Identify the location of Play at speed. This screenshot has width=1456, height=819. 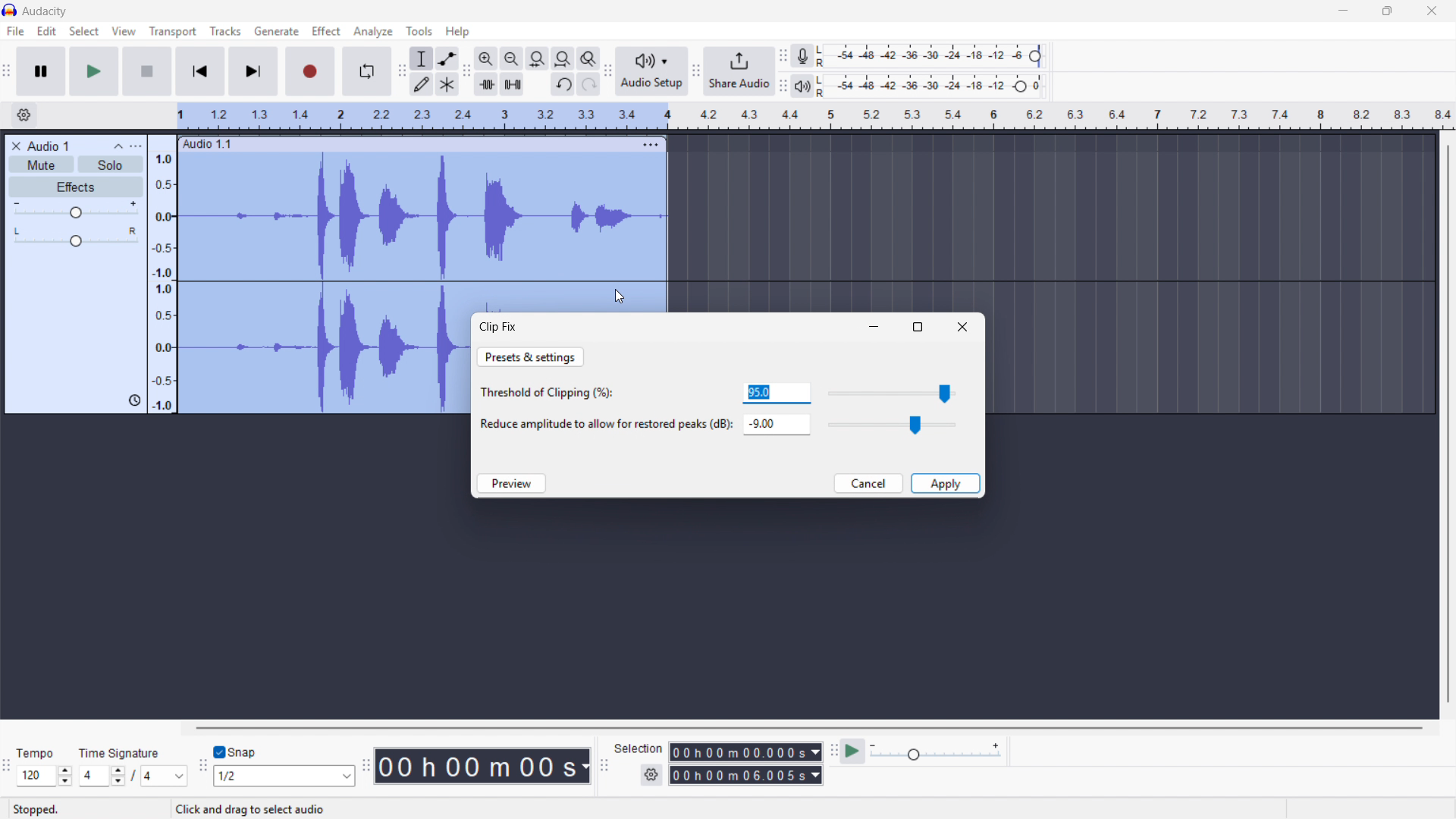
(853, 752).